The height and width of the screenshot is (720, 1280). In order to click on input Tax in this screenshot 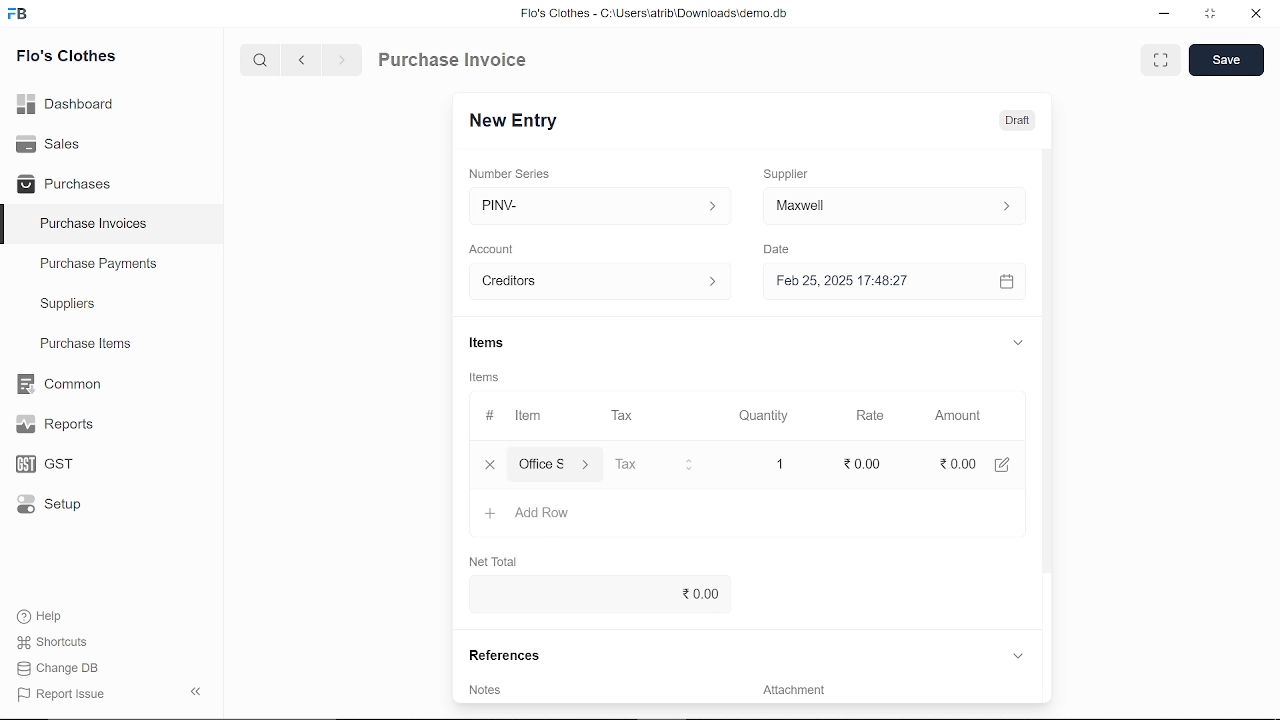, I will do `click(654, 464)`.